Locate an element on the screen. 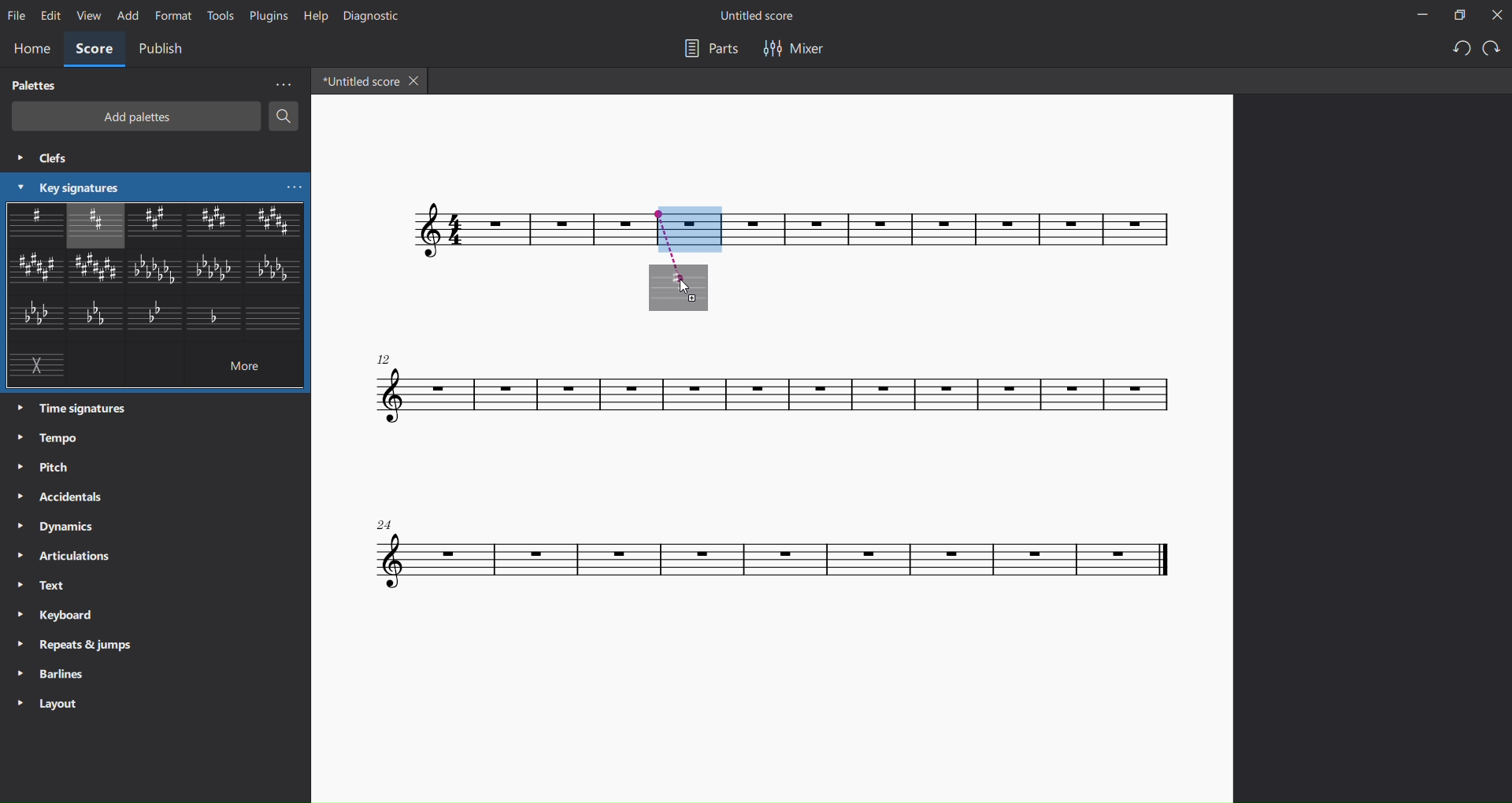  other key signatures is located at coordinates (159, 273).